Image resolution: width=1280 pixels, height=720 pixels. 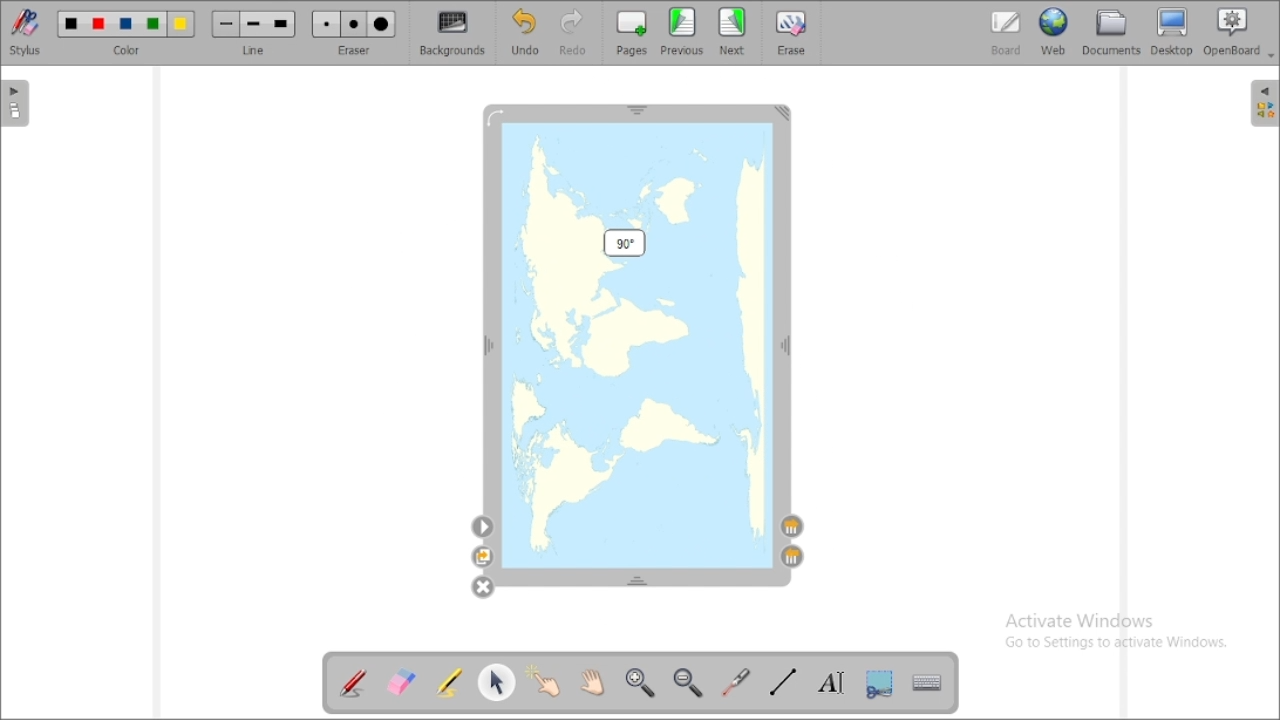 What do you see at coordinates (497, 682) in the screenshot?
I see `select and modify objects` at bounding box center [497, 682].